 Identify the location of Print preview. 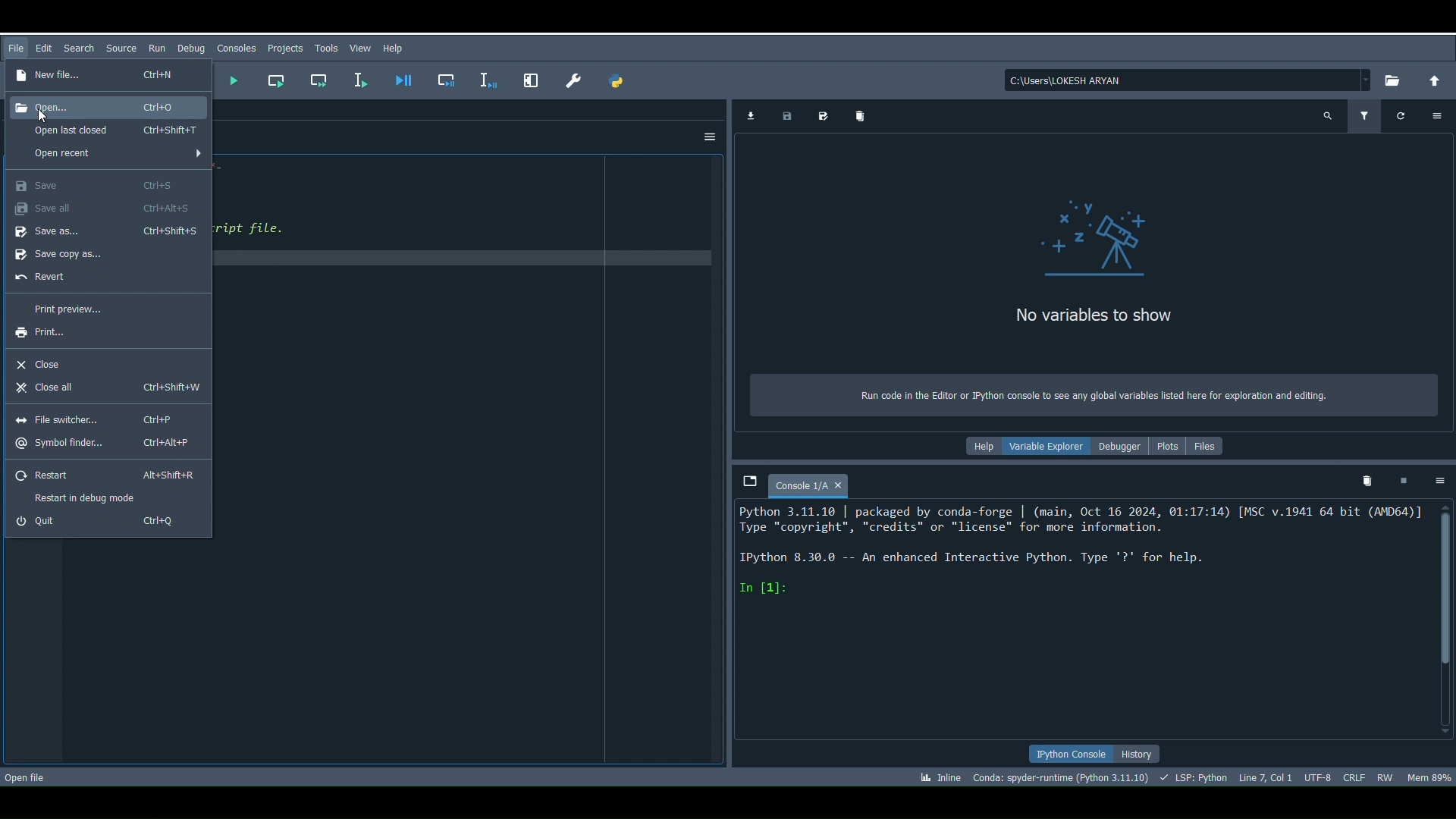
(100, 306).